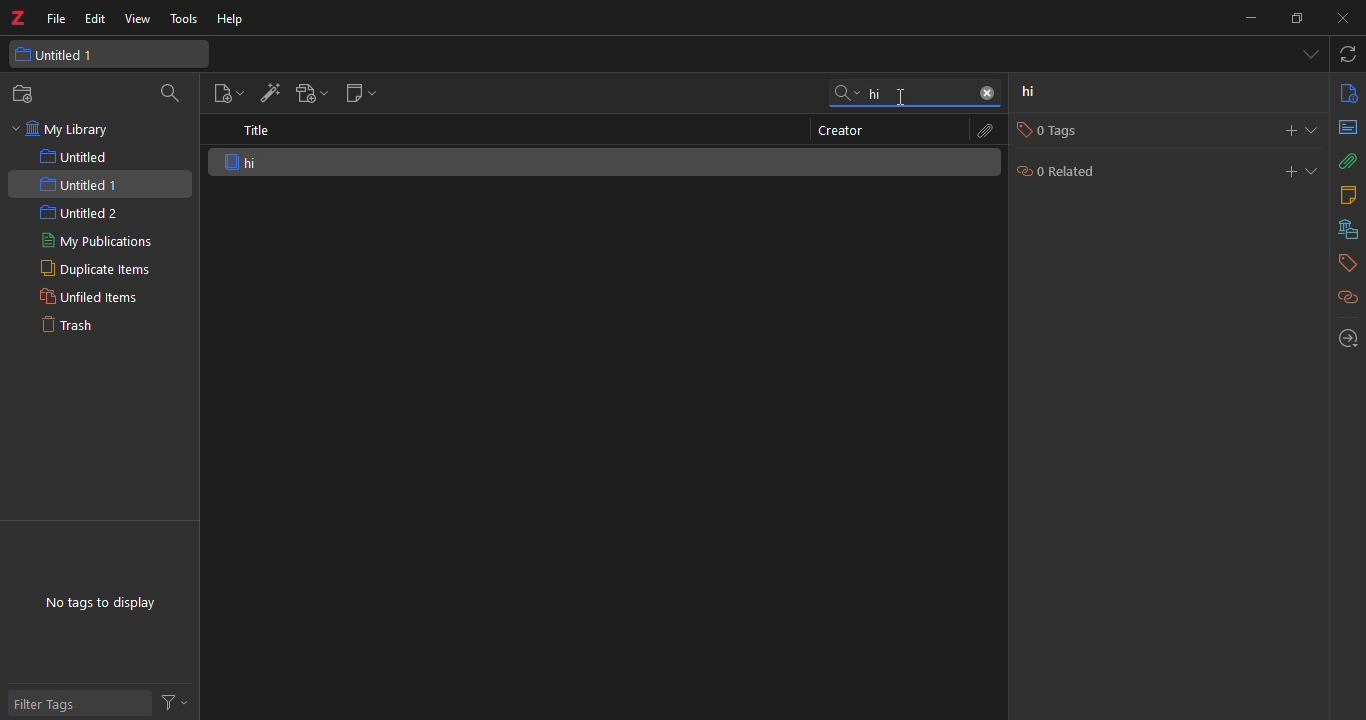 The height and width of the screenshot is (720, 1366). Describe the element at coordinates (984, 130) in the screenshot. I see `attach` at that location.